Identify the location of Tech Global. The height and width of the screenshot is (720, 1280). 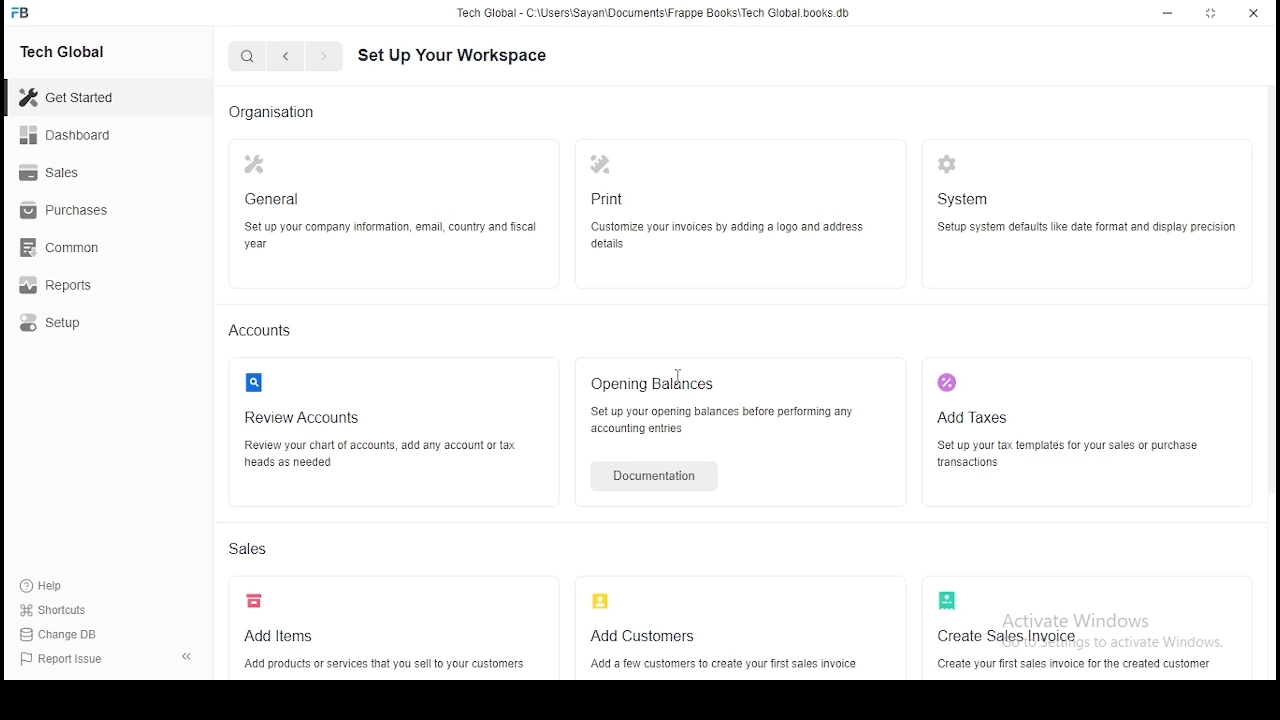
(85, 50).